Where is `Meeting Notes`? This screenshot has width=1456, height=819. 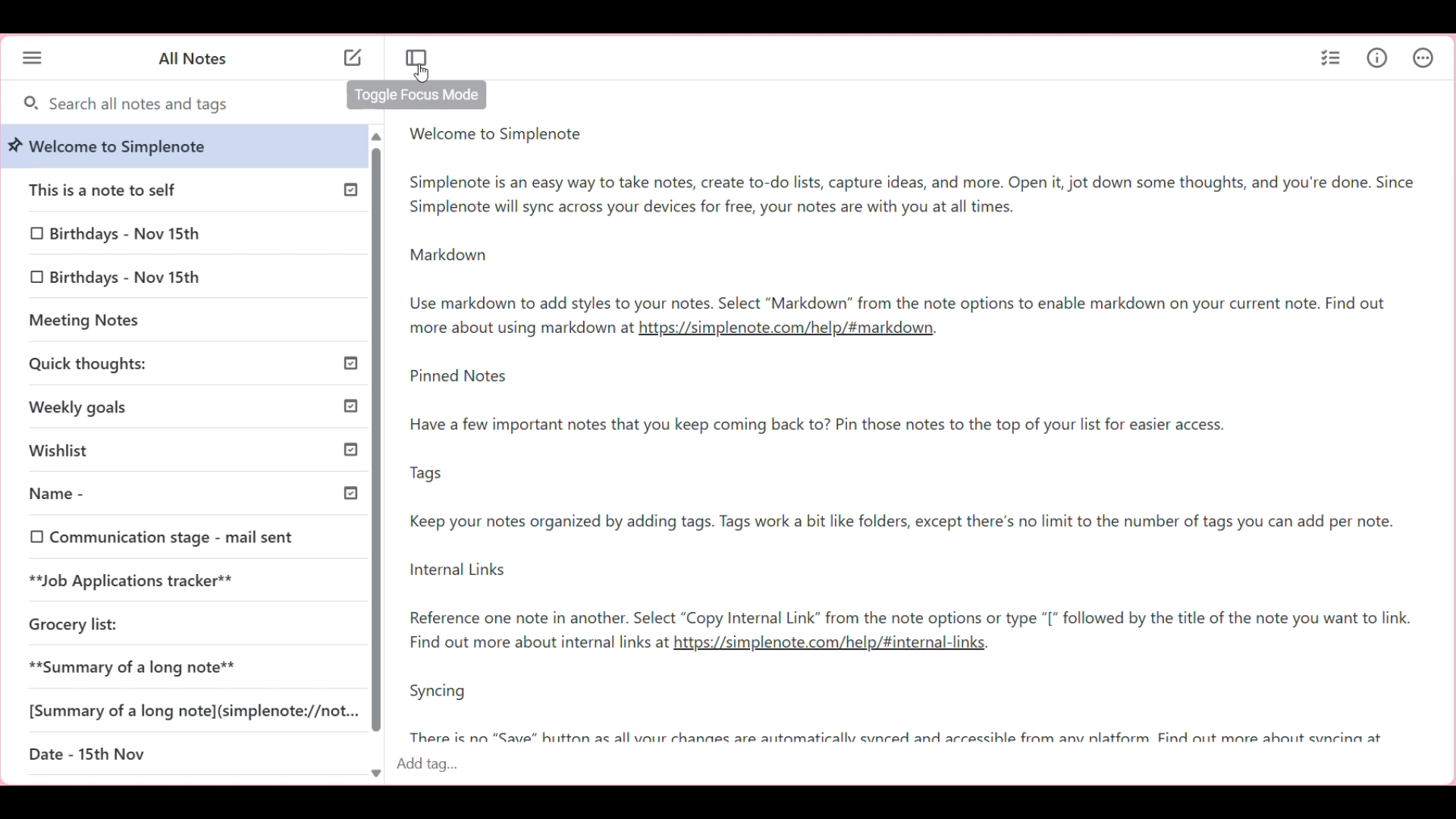
Meeting Notes is located at coordinates (121, 321).